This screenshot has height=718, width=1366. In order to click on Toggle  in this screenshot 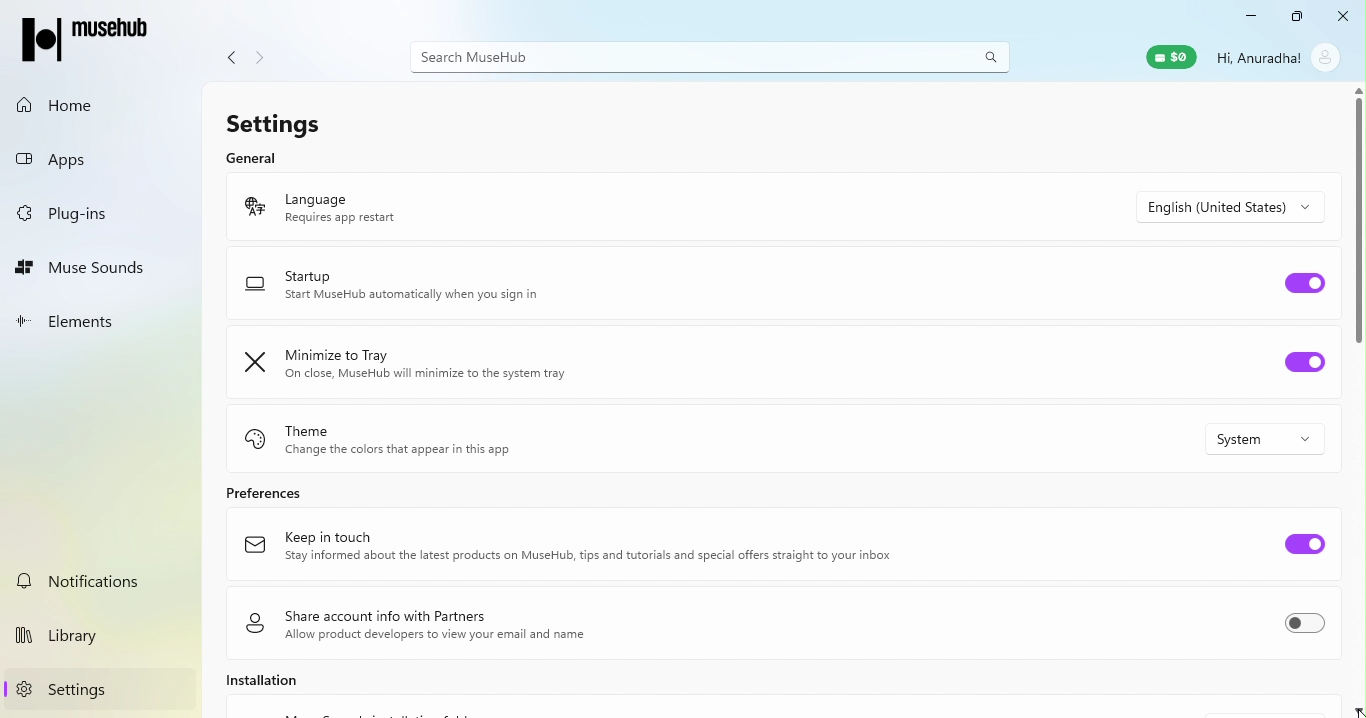, I will do `click(1305, 287)`.